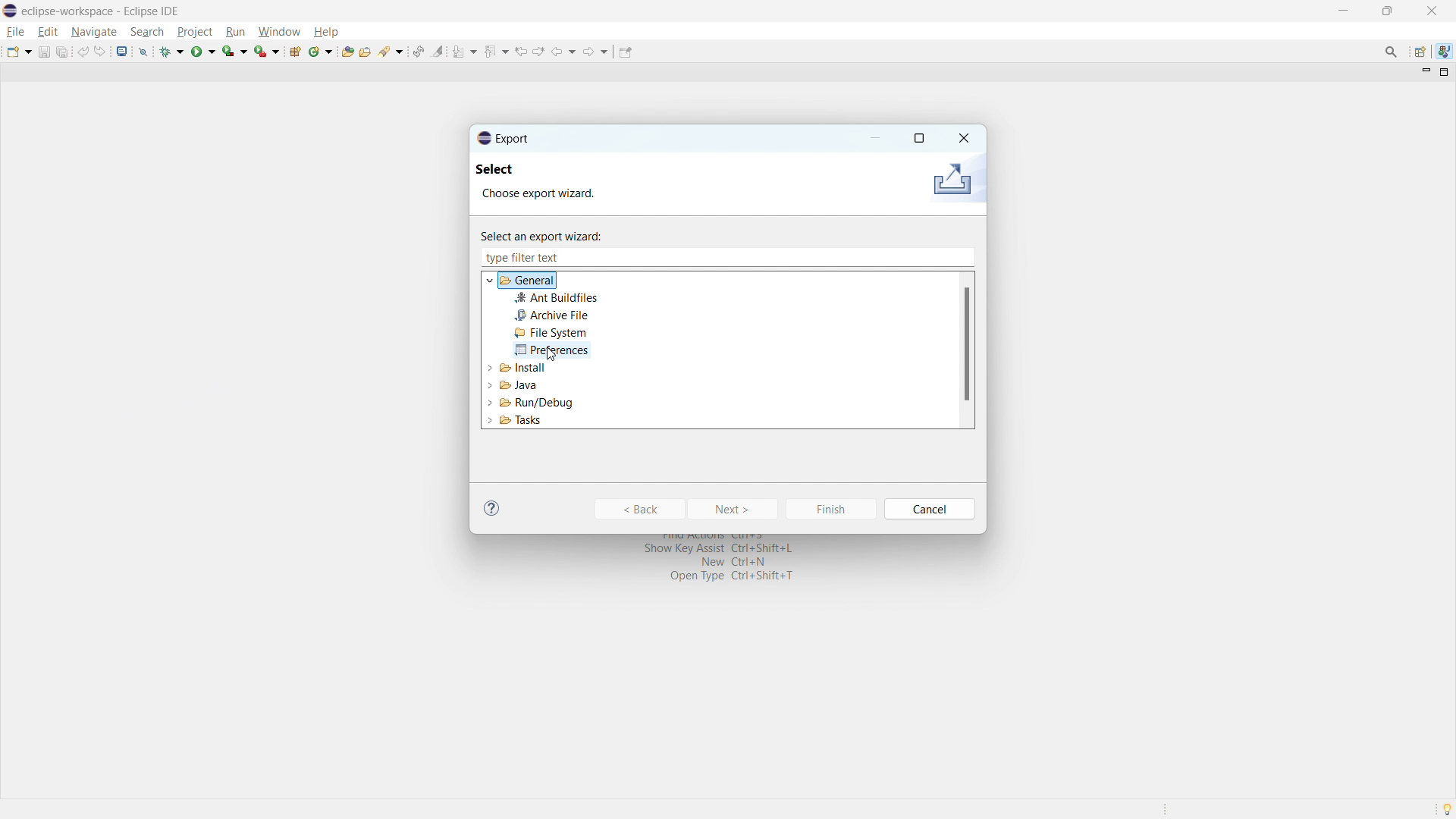 The width and height of the screenshot is (1456, 819). I want to click on open perspective, so click(1419, 52).